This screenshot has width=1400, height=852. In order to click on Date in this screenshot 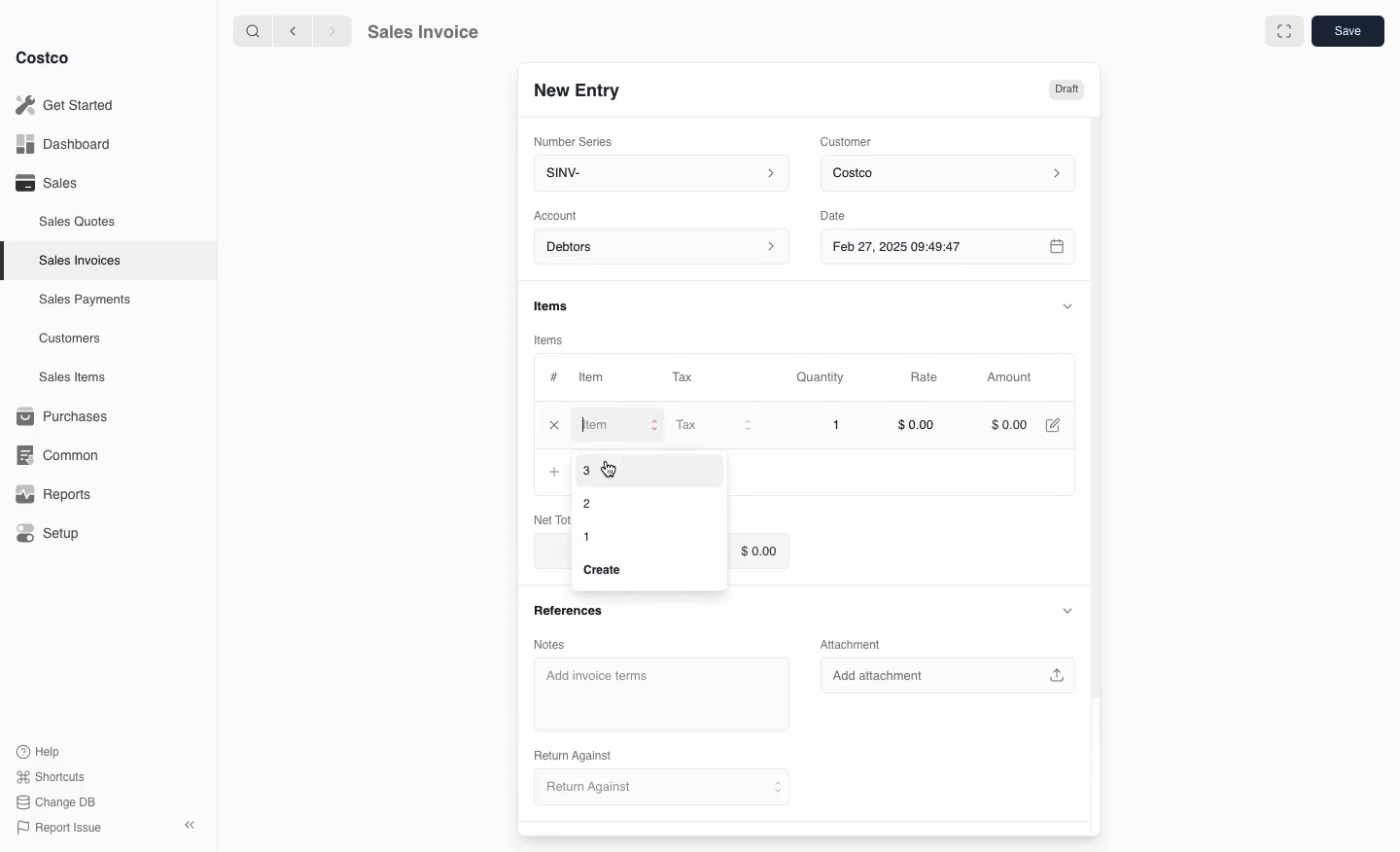, I will do `click(849, 213)`.